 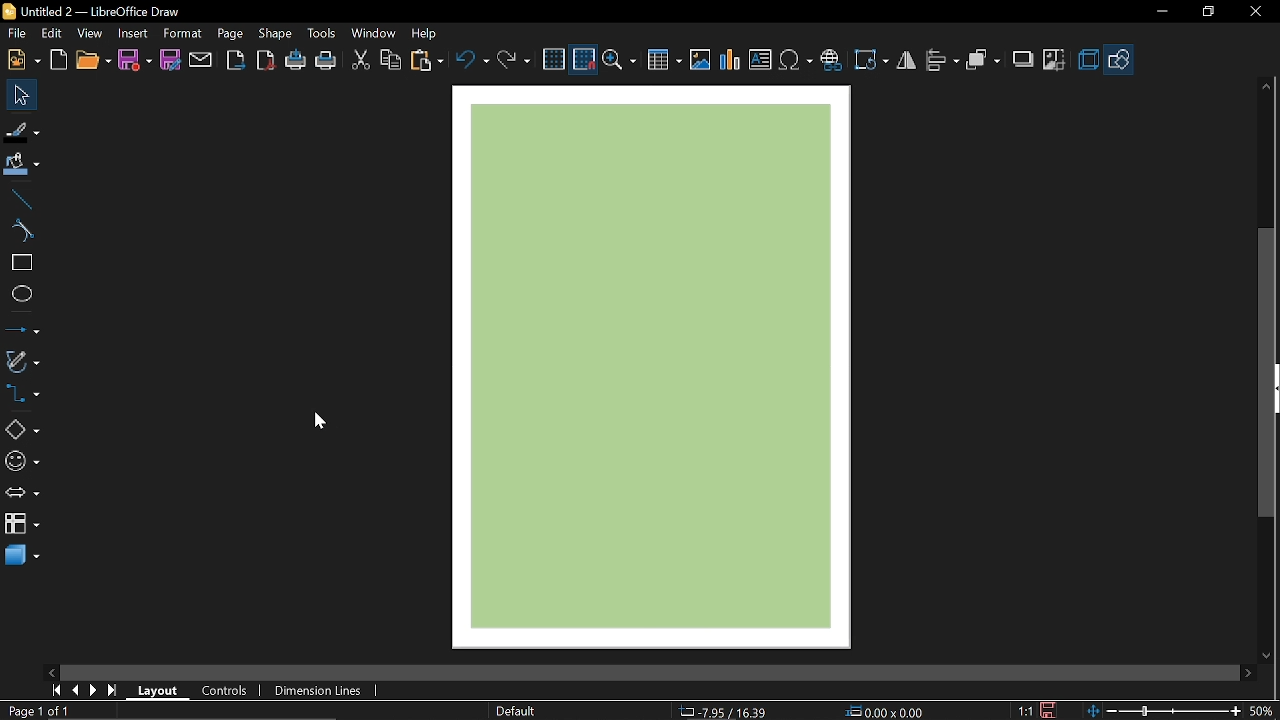 What do you see at coordinates (662, 61) in the screenshot?
I see `Insert table` at bounding box center [662, 61].